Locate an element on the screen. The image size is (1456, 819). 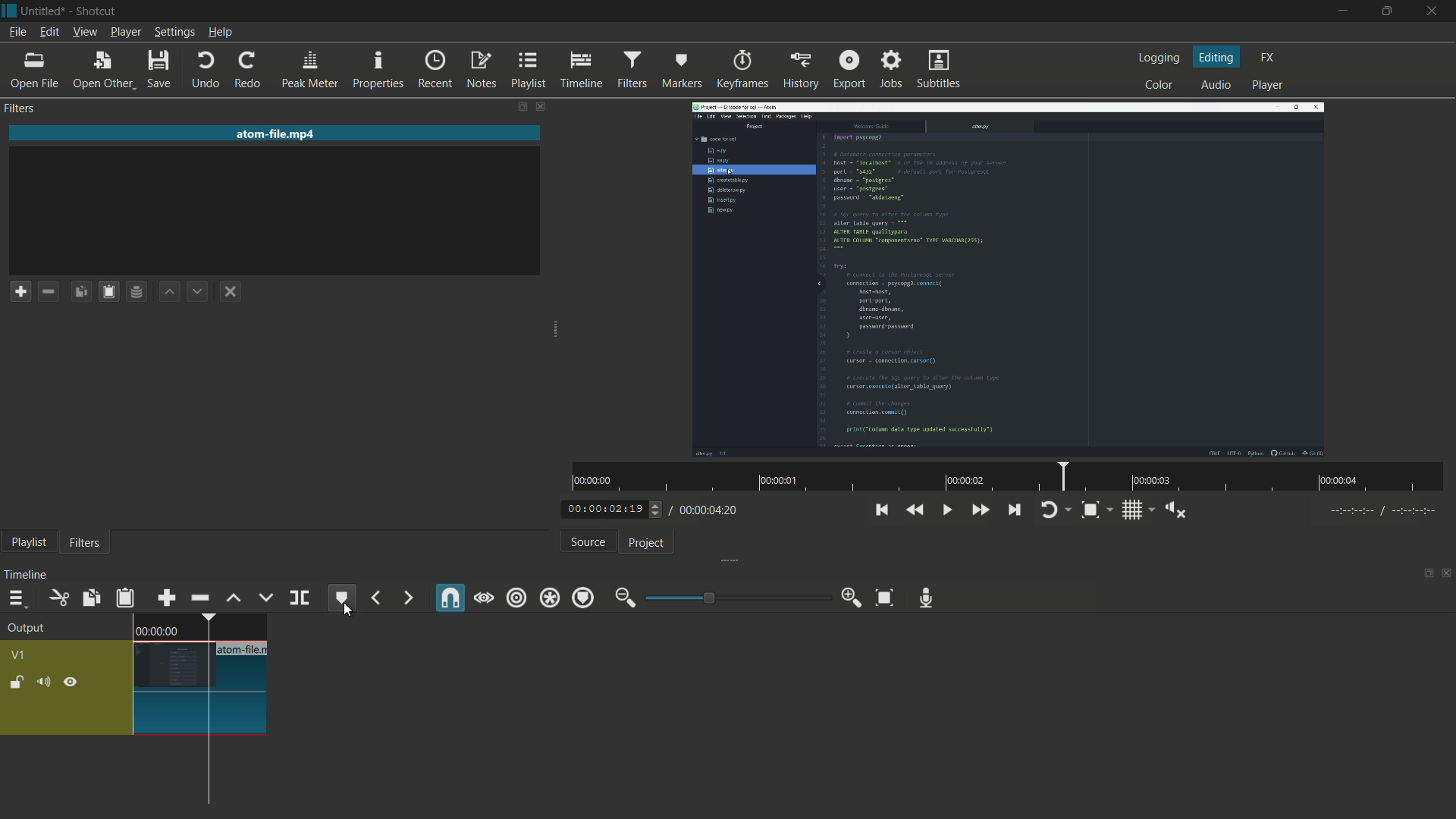
recent is located at coordinates (431, 71).